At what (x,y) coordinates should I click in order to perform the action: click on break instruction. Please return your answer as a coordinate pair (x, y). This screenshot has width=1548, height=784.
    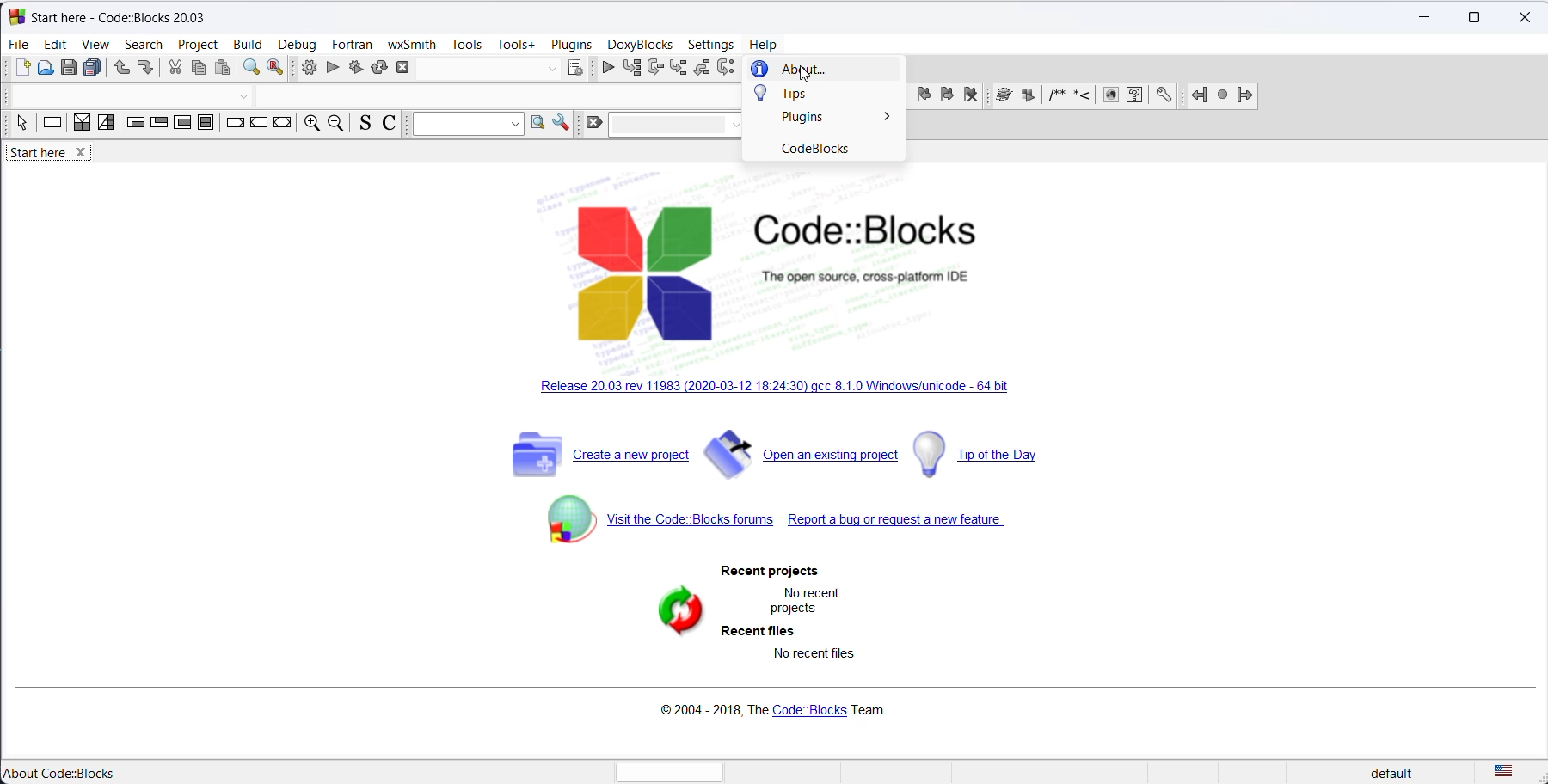
    Looking at the image, I should click on (236, 126).